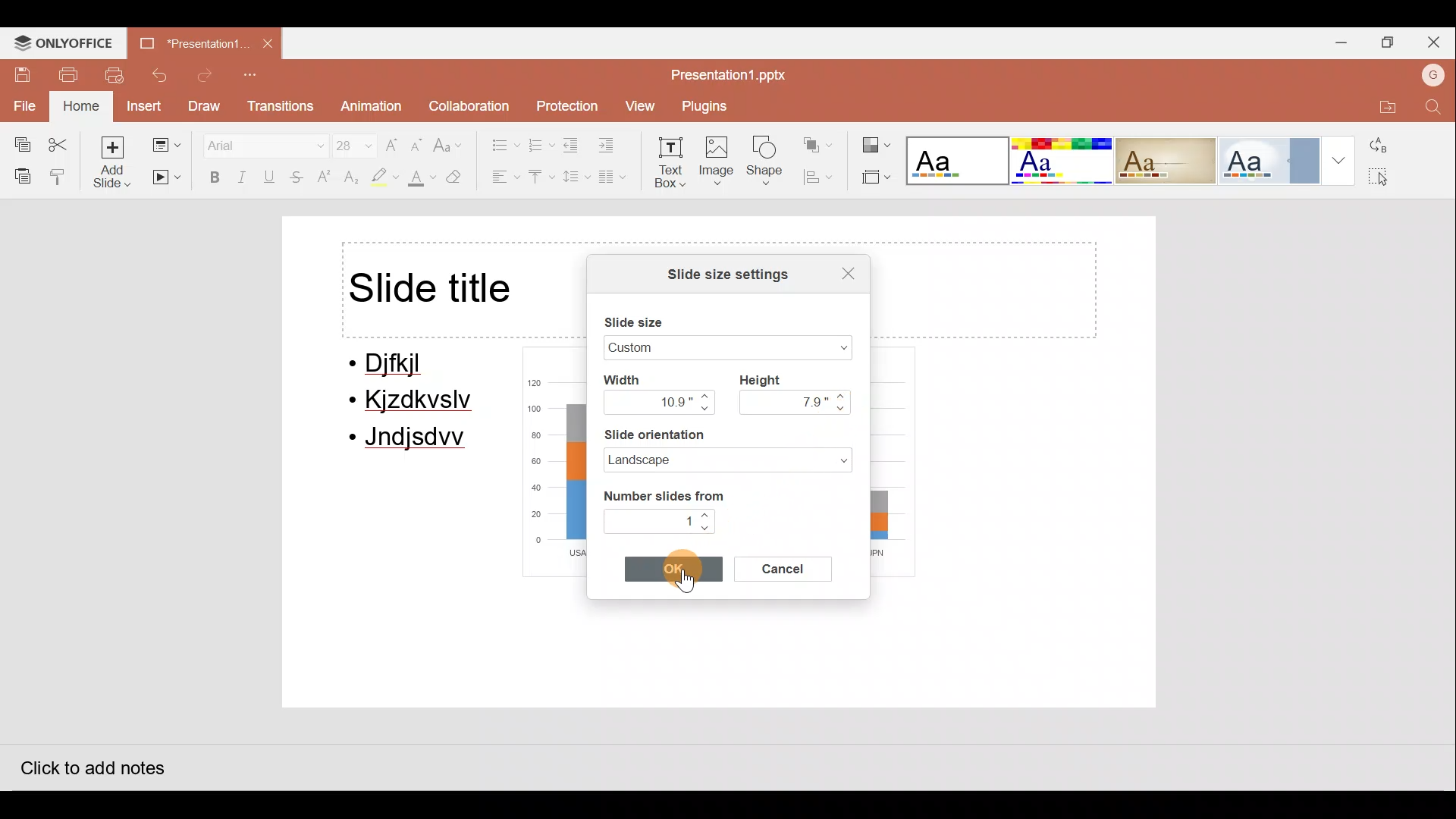 The height and width of the screenshot is (819, 1456). What do you see at coordinates (874, 178) in the screenshot?
I see `Select slide size` at bounding box center [874, 178].